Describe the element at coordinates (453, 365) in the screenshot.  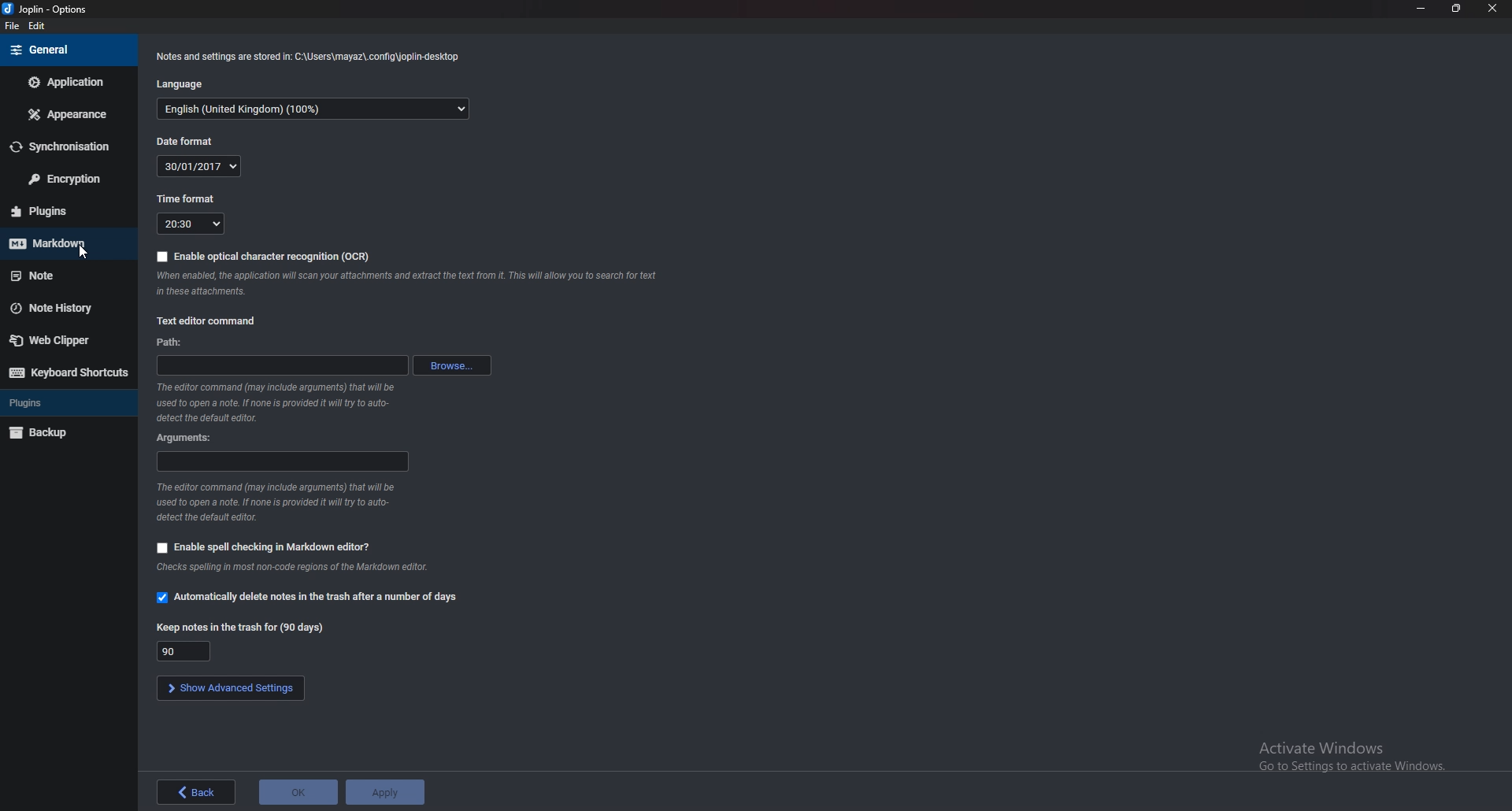
I see `browse` at that location.